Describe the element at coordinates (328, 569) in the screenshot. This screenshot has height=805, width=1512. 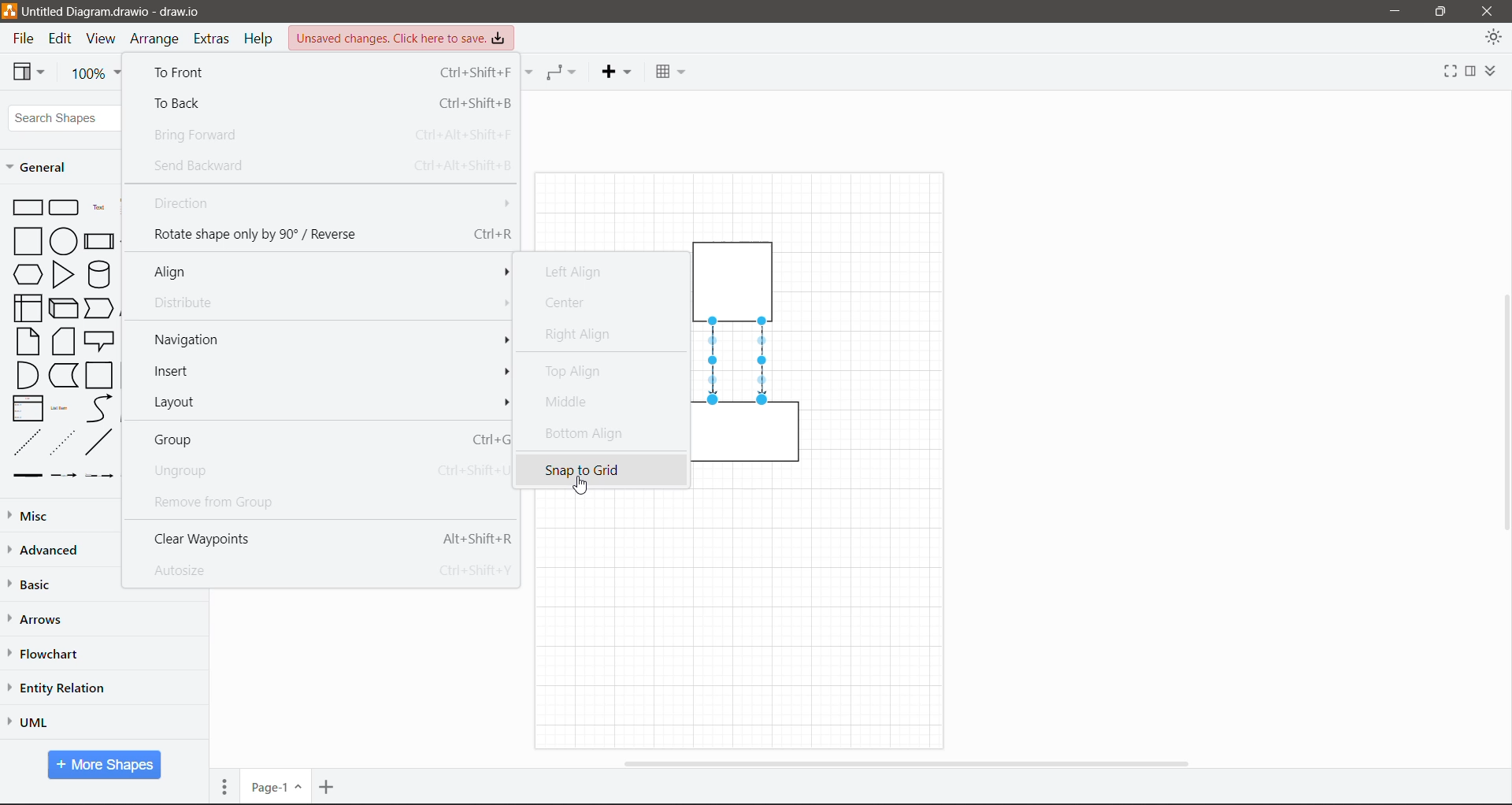
I see `Autosize` at that location.